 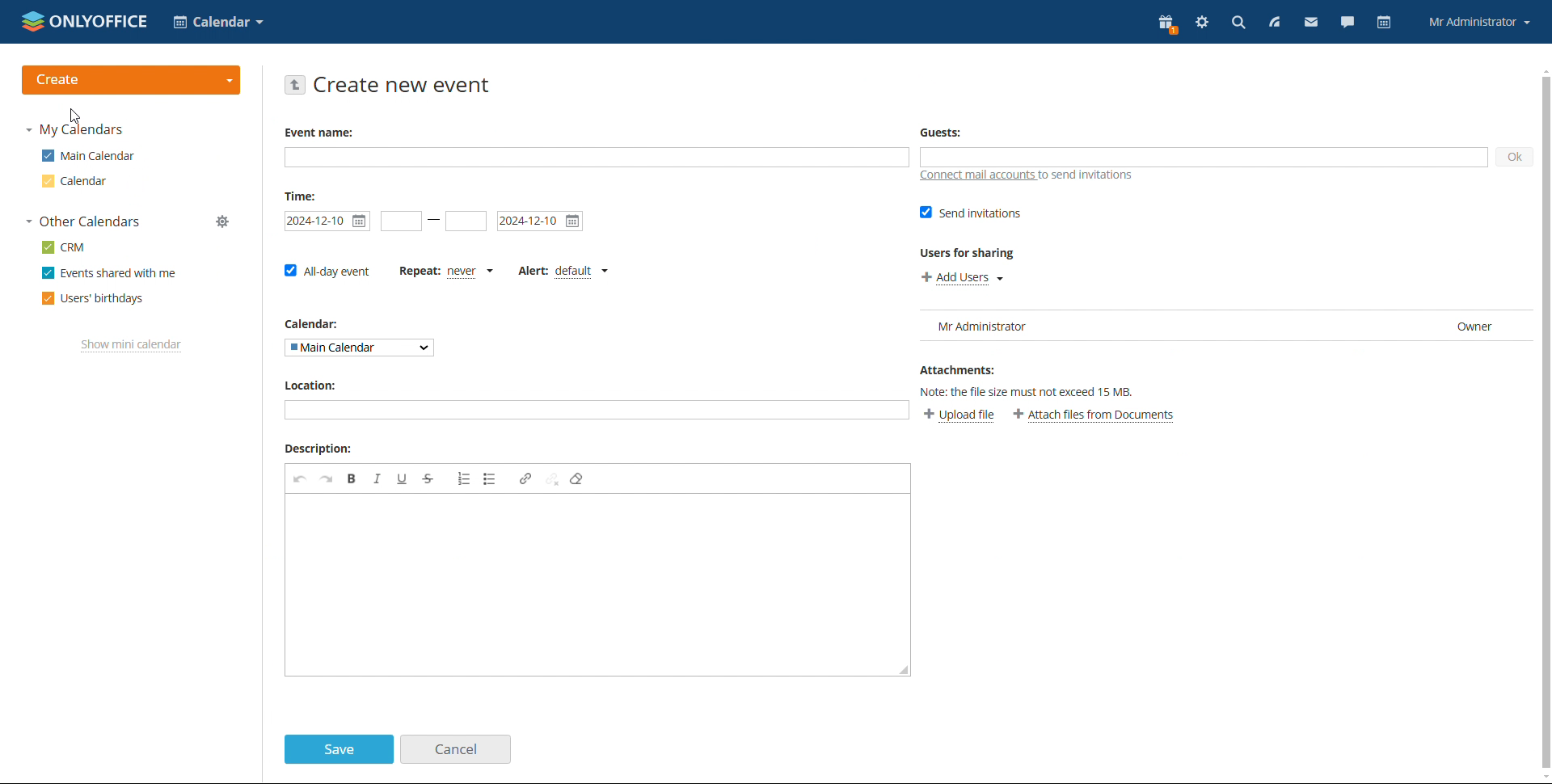 I want to click on Event name:, so click(x=317, y=132).